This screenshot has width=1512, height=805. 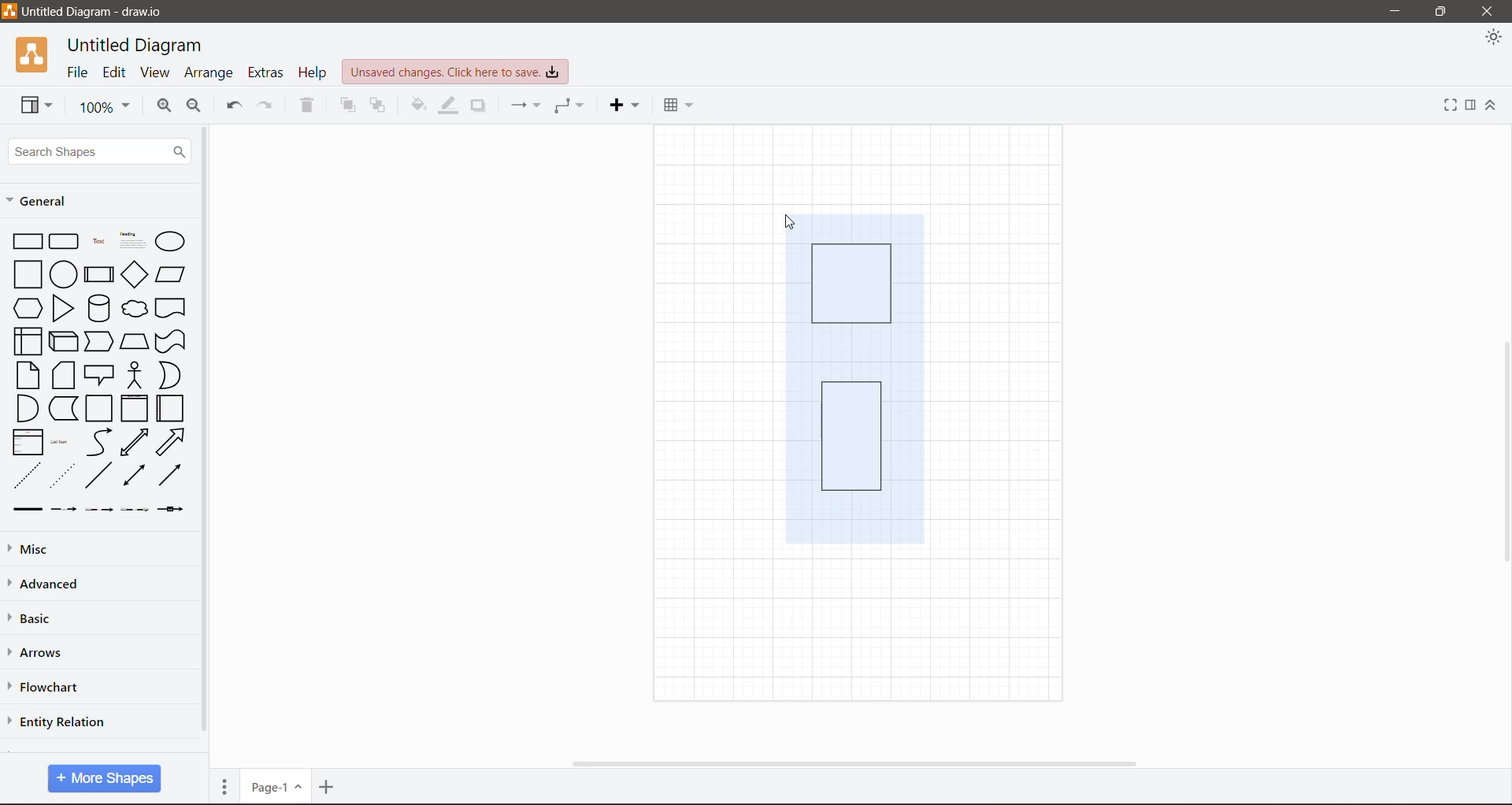 I want to click on Line Color, so click(x=447, y=107).